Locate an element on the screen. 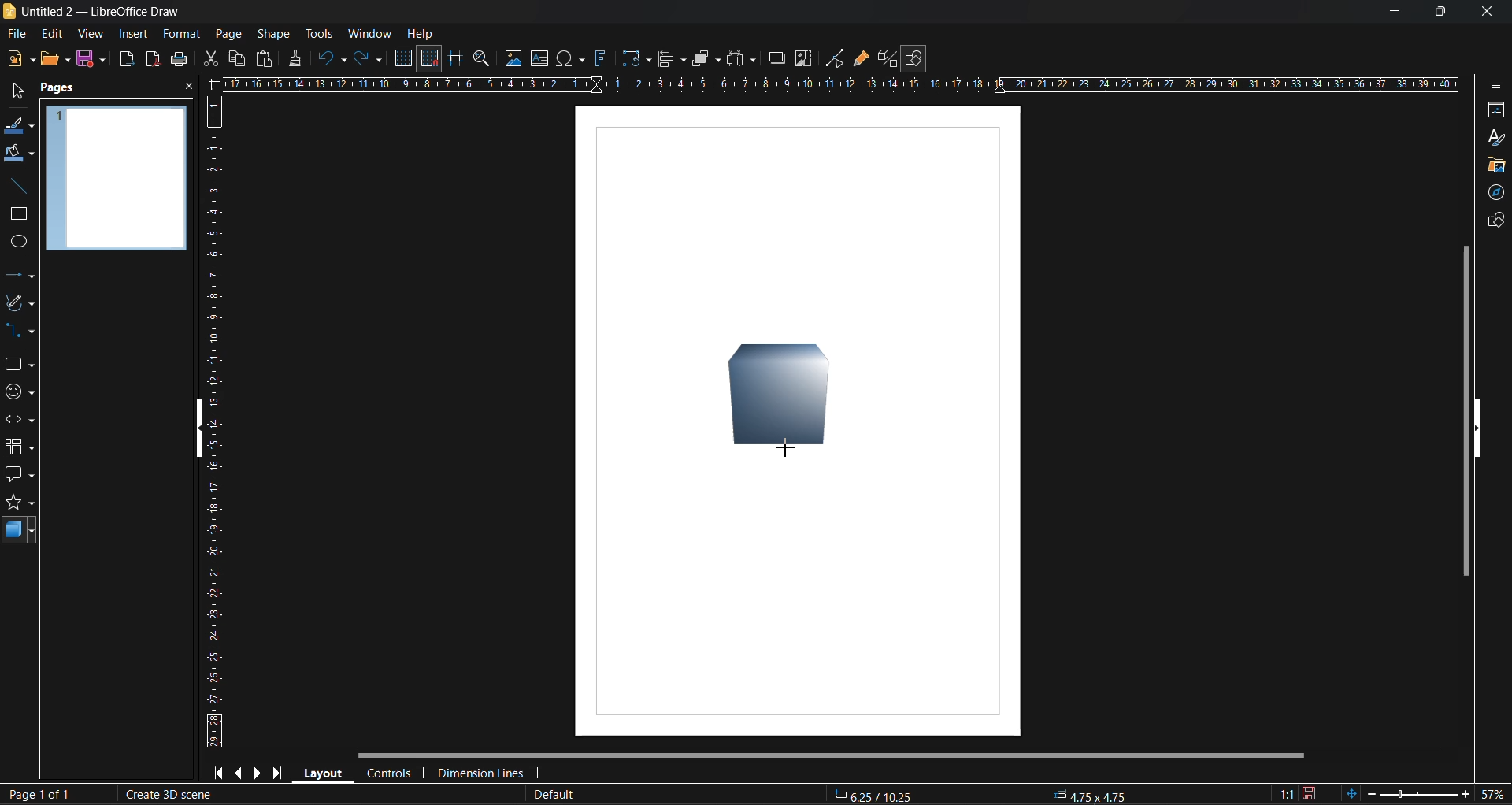  fill color is located at coordinates (19, 154).